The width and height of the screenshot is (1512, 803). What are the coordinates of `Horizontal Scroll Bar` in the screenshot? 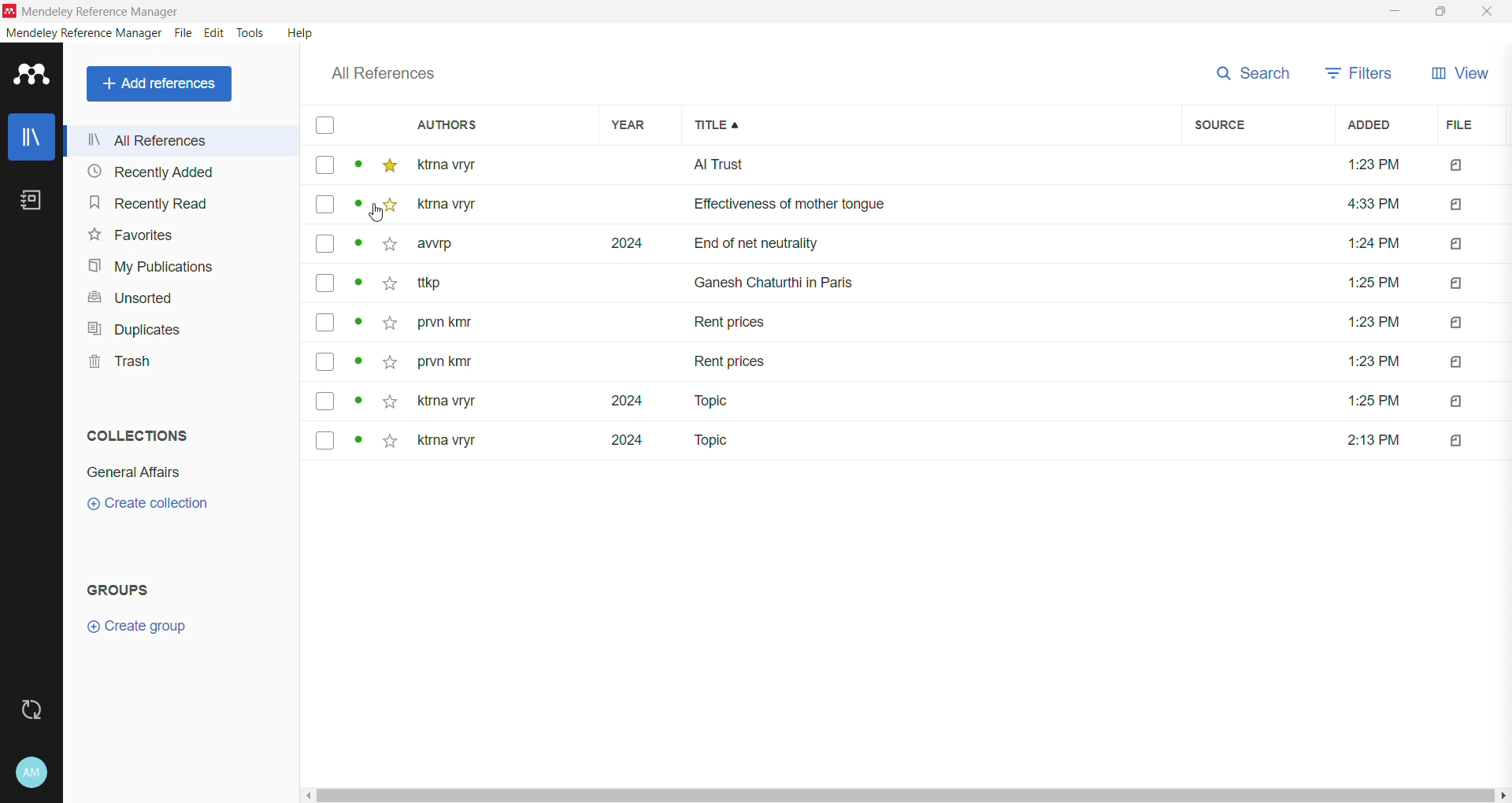 It's located at (906, 796).